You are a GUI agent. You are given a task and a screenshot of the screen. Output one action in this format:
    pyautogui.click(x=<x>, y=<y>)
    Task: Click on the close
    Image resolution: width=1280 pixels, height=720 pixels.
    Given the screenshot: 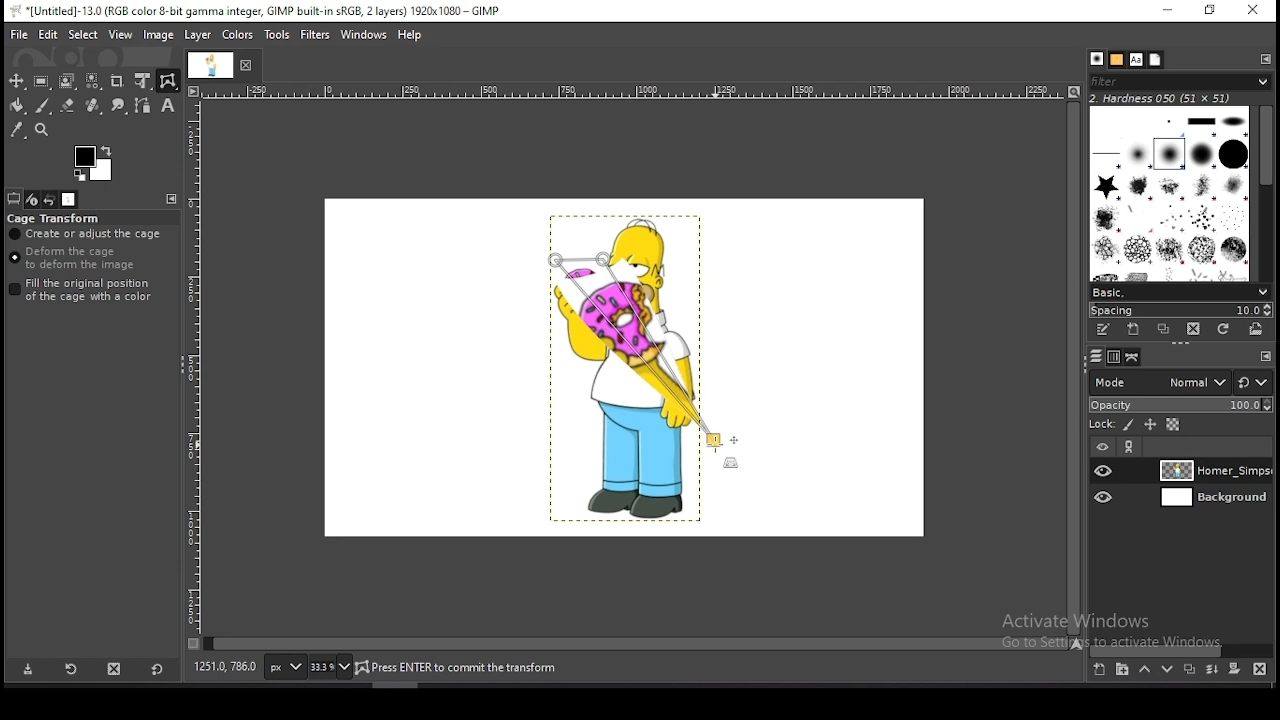 What is the action you would take?
    pyautogui.click(x=250, y=64)
    